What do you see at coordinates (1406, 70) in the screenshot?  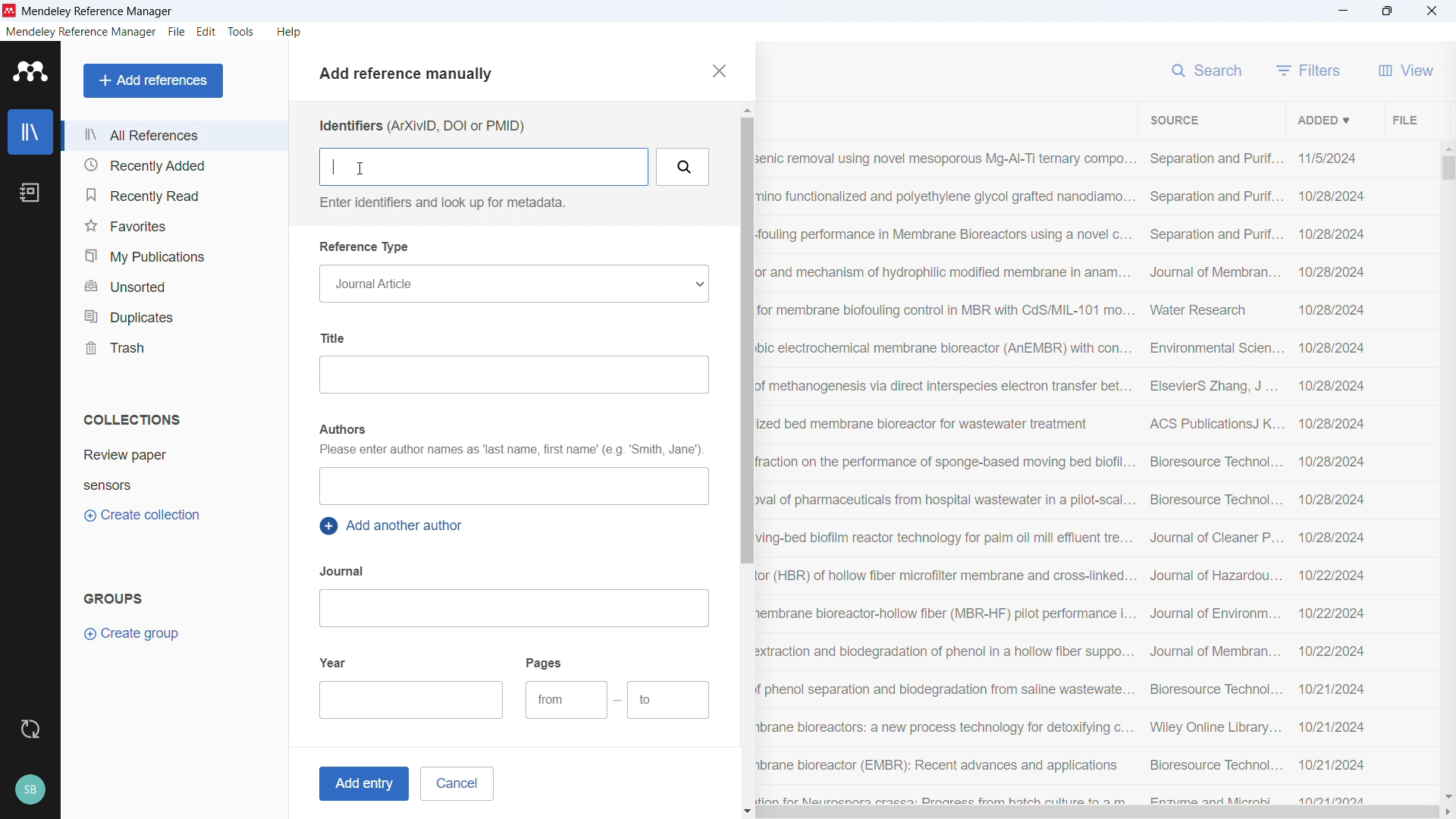 I see `View ` at bounding box center [1406, 70].